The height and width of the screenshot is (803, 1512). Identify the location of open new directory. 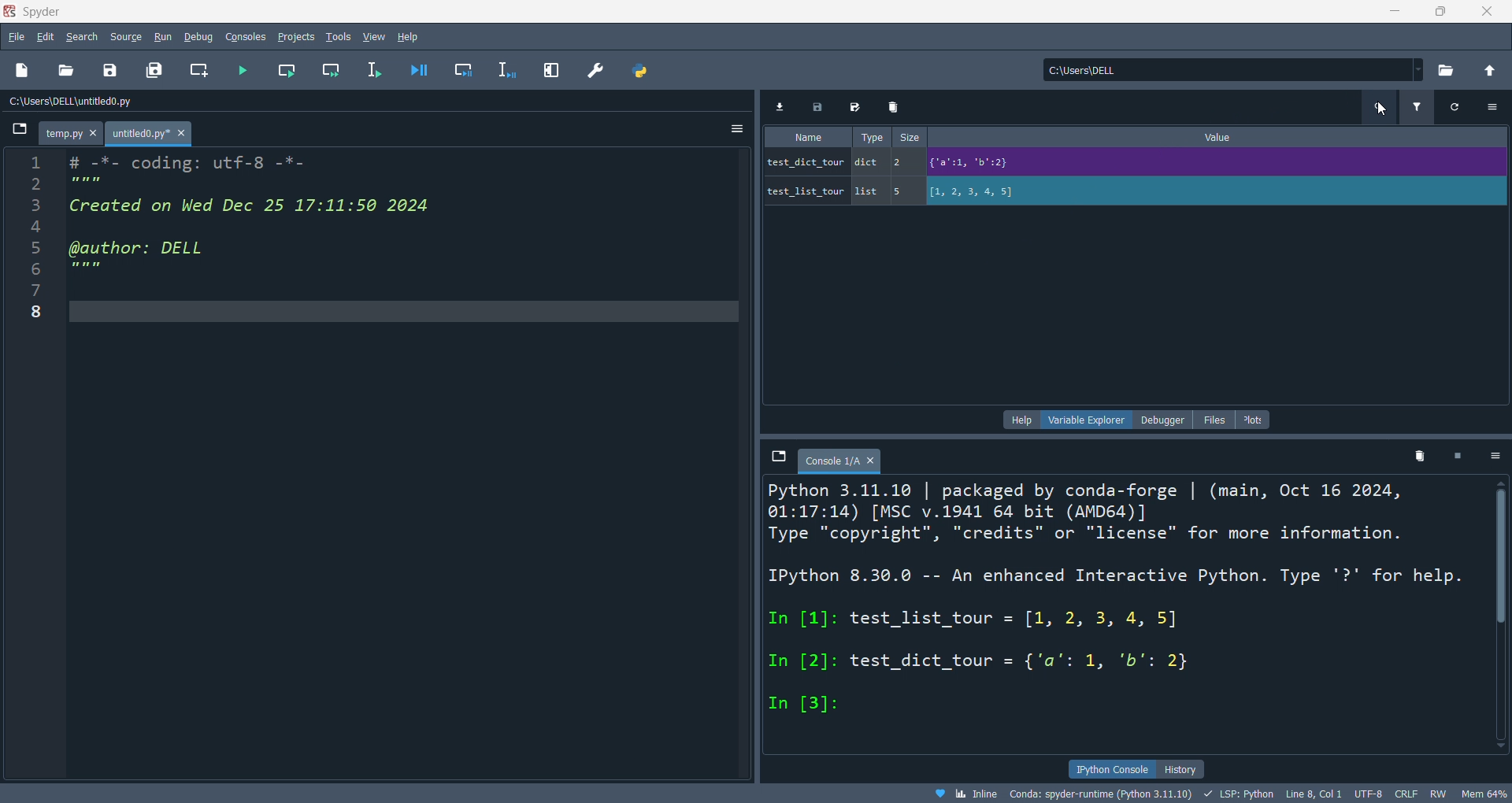
(1438, 69).